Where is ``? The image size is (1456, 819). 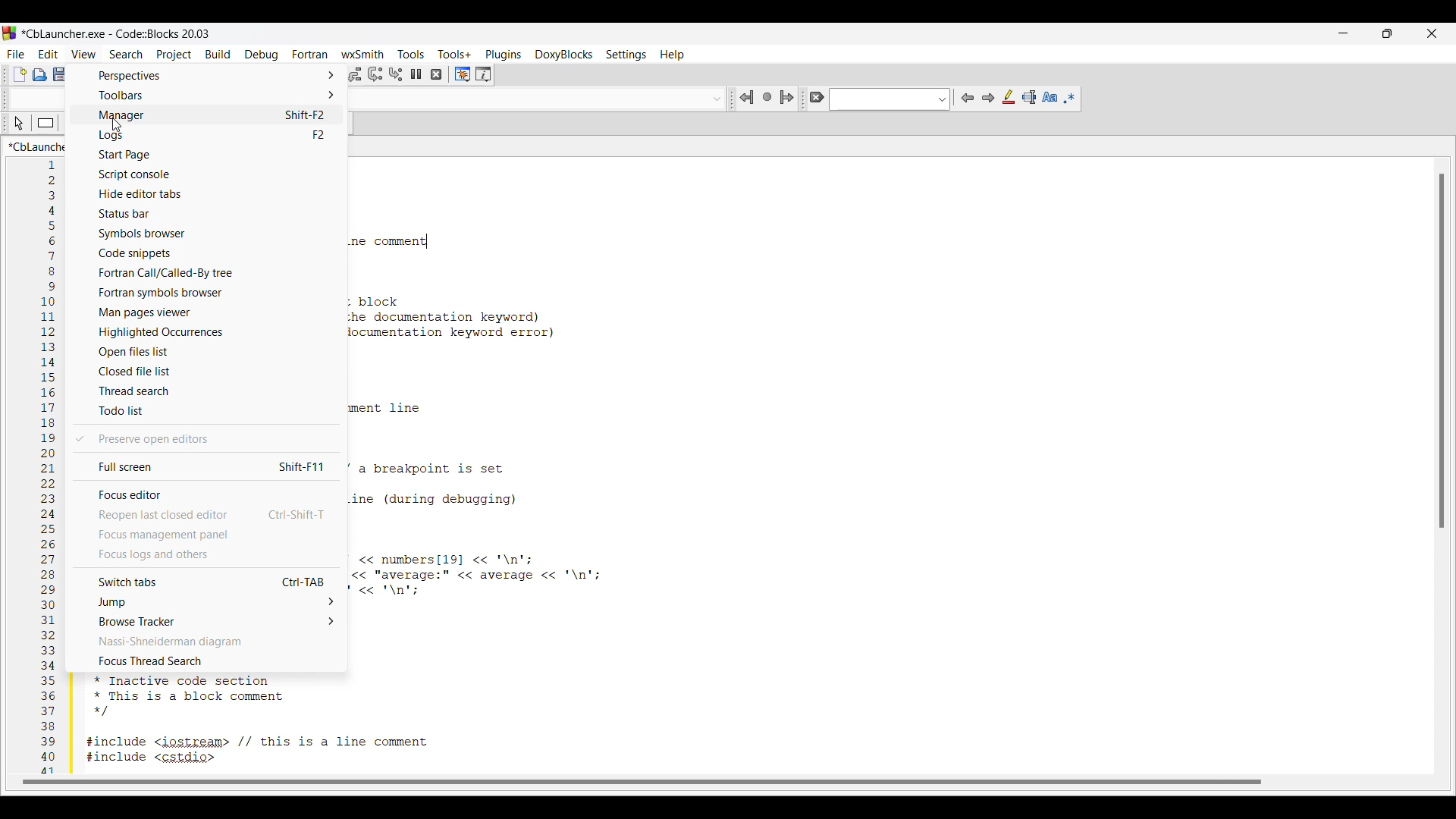  is located at coordinates (416, 74).